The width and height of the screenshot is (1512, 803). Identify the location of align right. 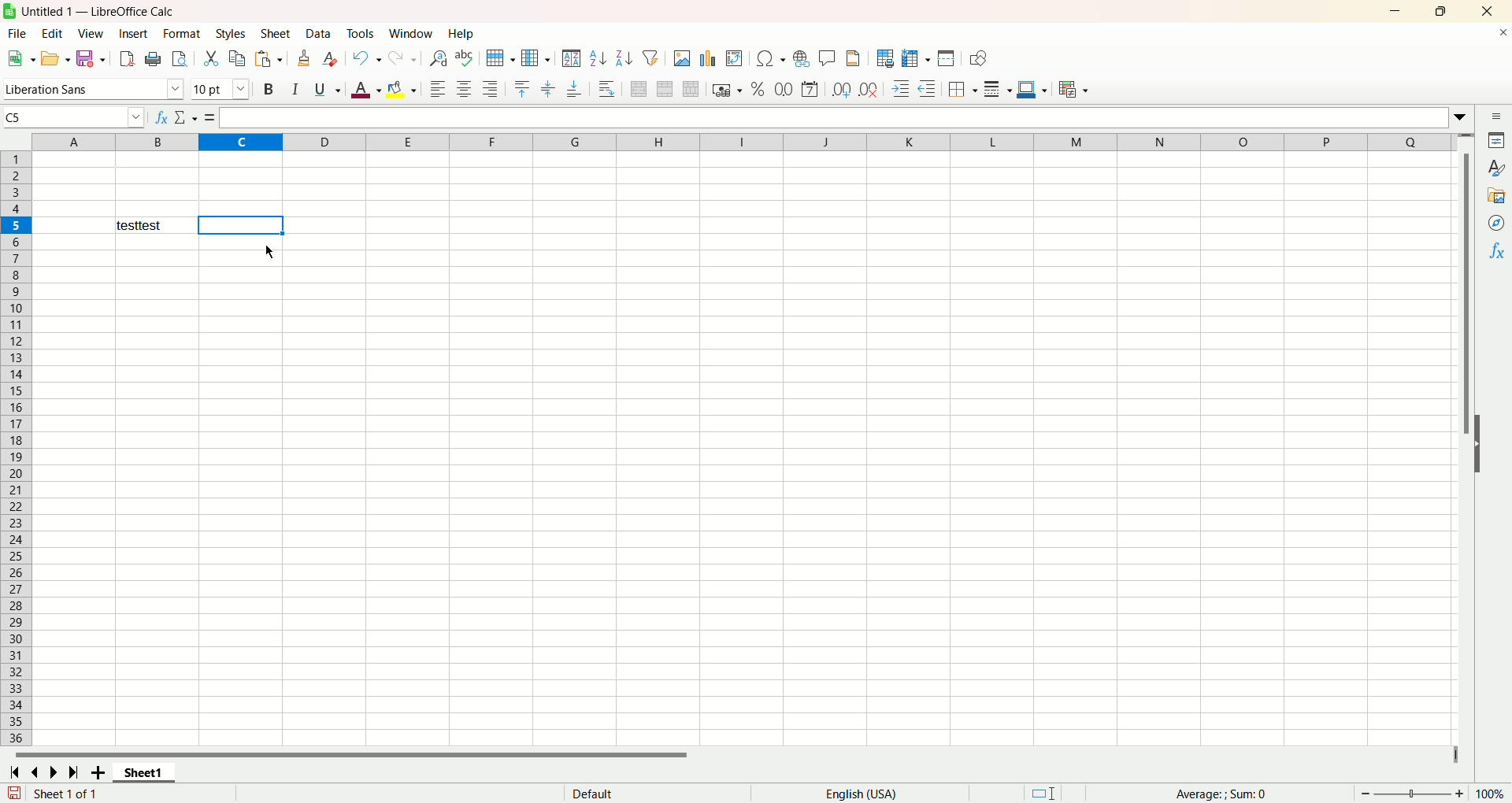
(491, 91).